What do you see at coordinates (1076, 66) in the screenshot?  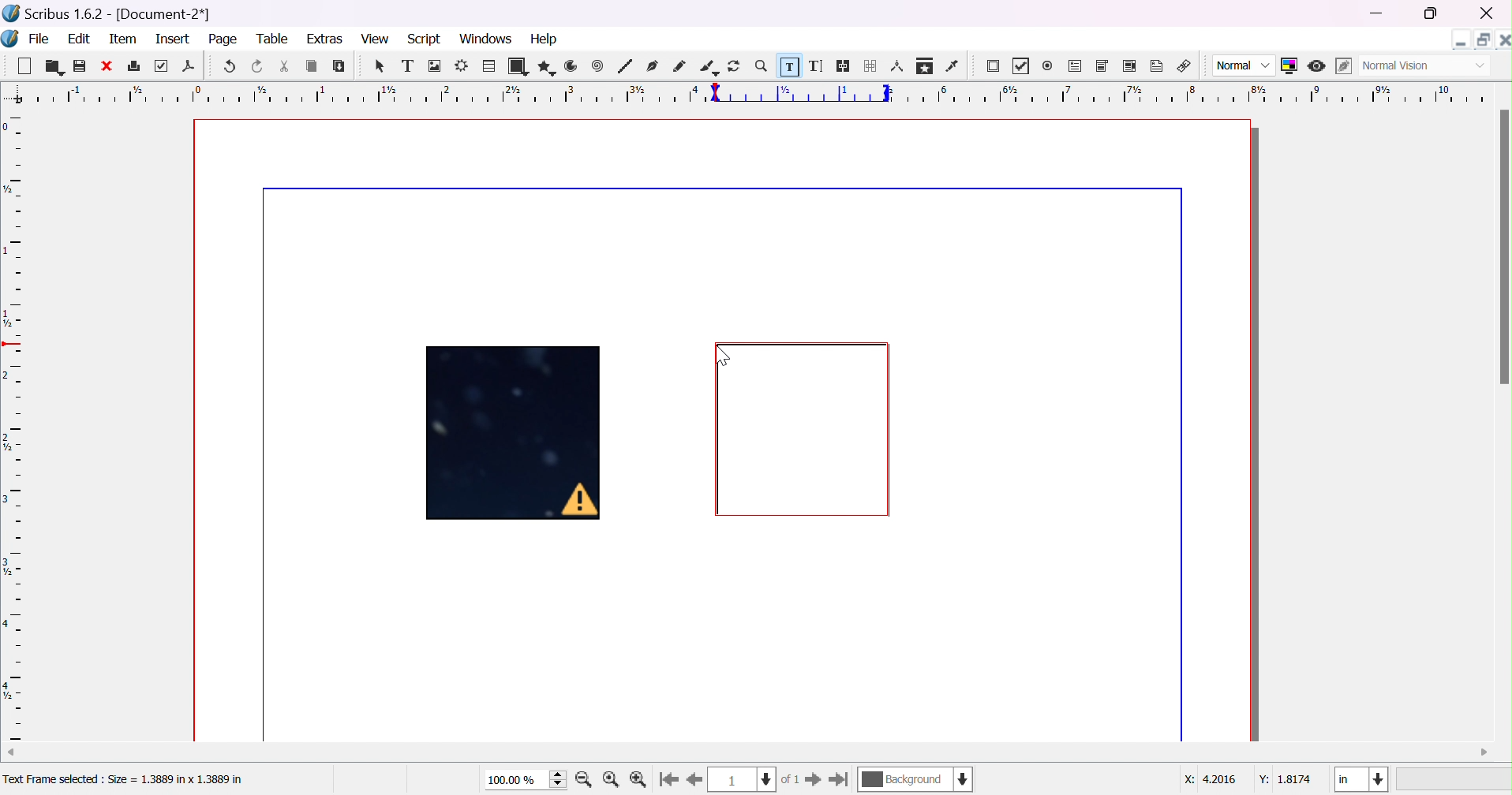 I see `PDF text field` at bounding box center [1076, 66].